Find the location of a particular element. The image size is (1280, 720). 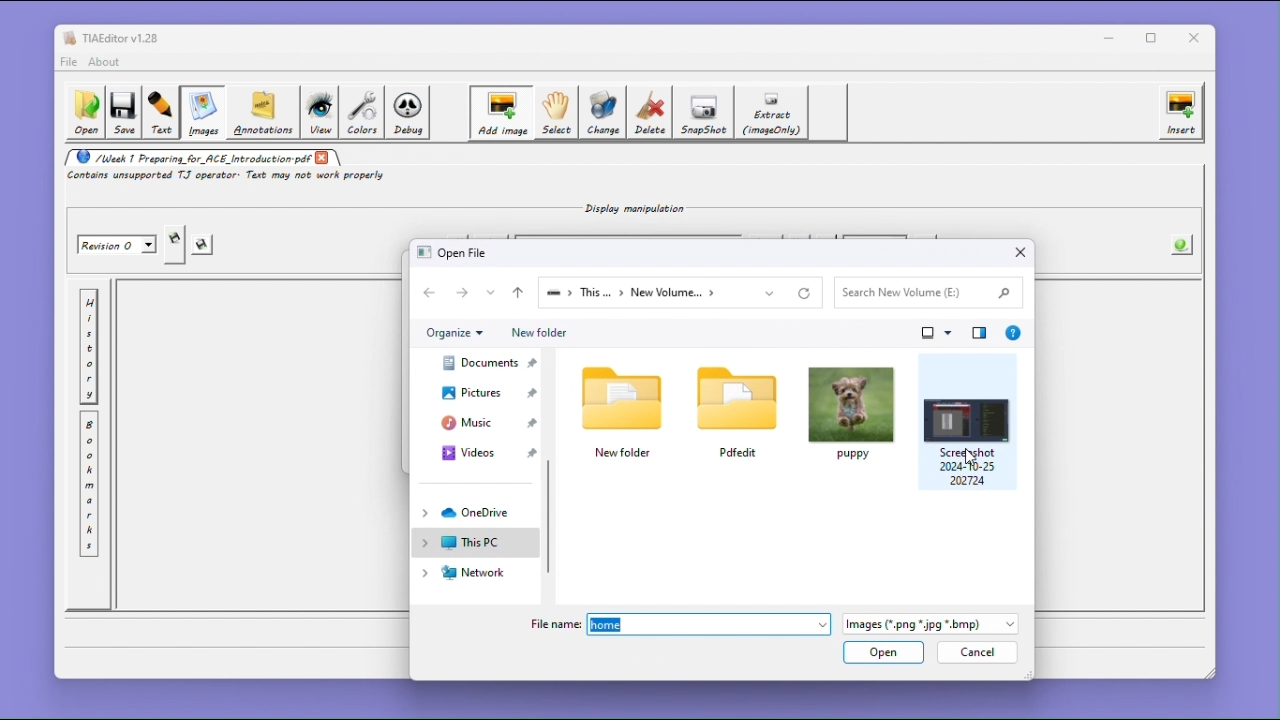

Extract (image only) is located at coordinates (773, 113).